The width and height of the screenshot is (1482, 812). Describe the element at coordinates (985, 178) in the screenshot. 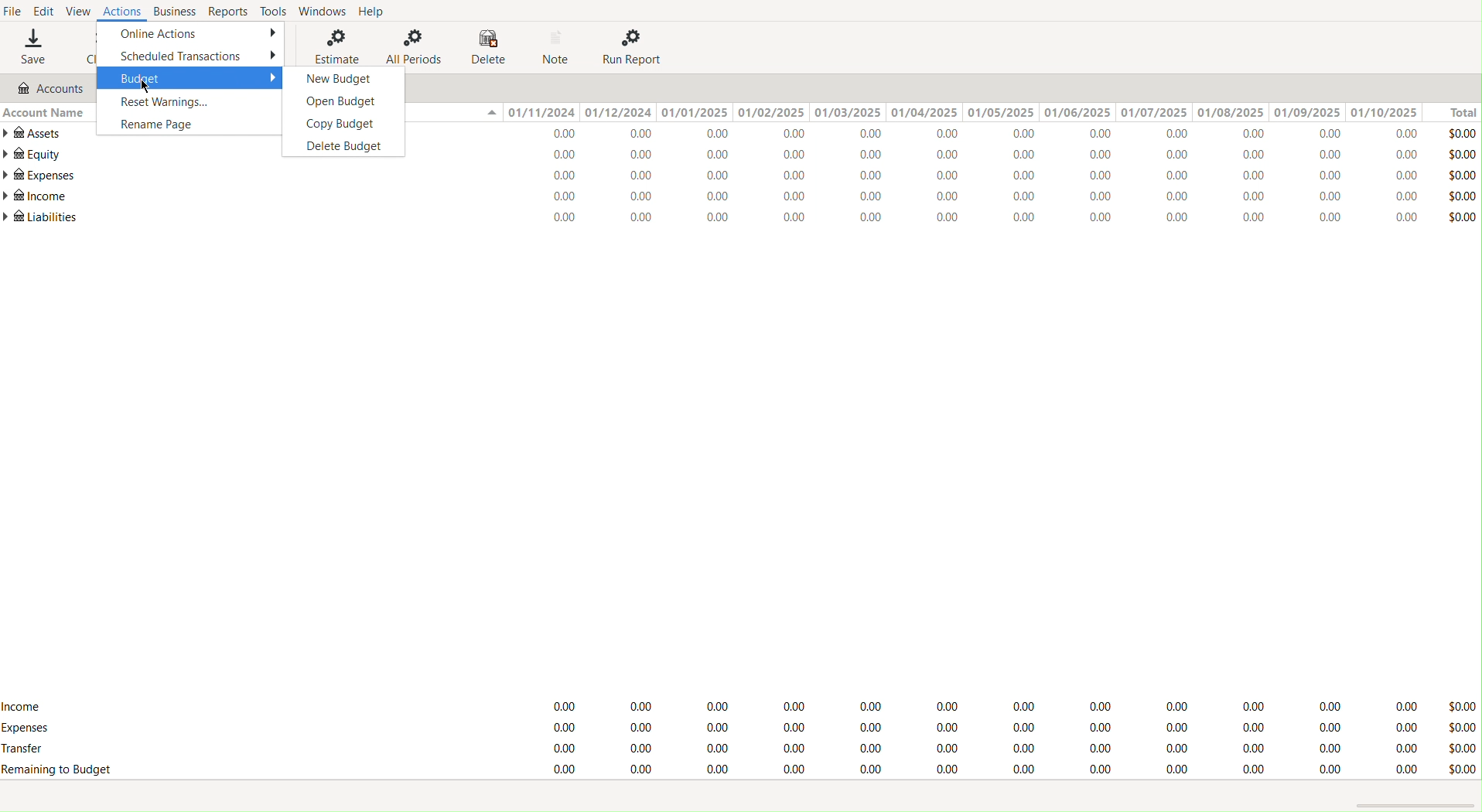

I see `Expenses Values` at that location.